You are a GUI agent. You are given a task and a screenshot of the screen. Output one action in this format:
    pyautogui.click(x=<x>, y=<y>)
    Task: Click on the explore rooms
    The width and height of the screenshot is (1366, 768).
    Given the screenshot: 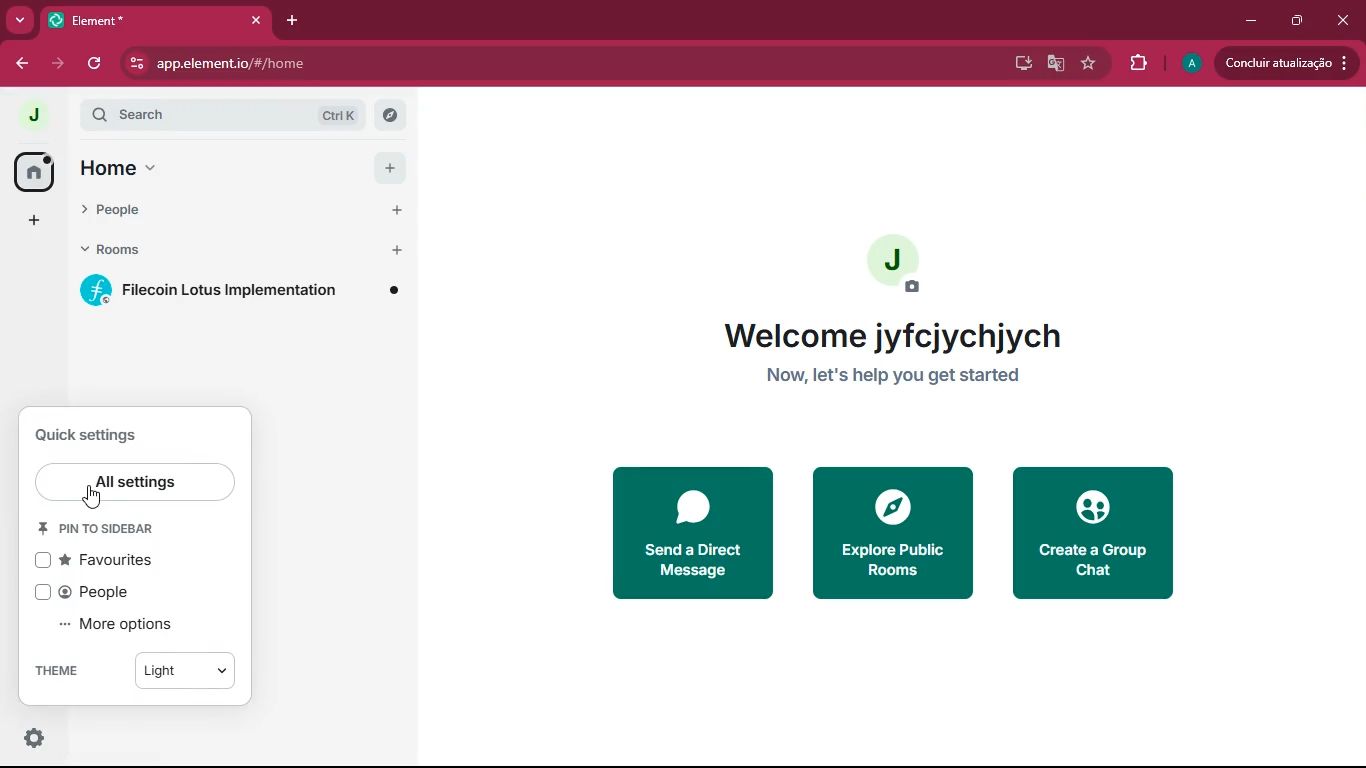 What is the action you would take?
    pyautogui.click(x=390, y=114)
    